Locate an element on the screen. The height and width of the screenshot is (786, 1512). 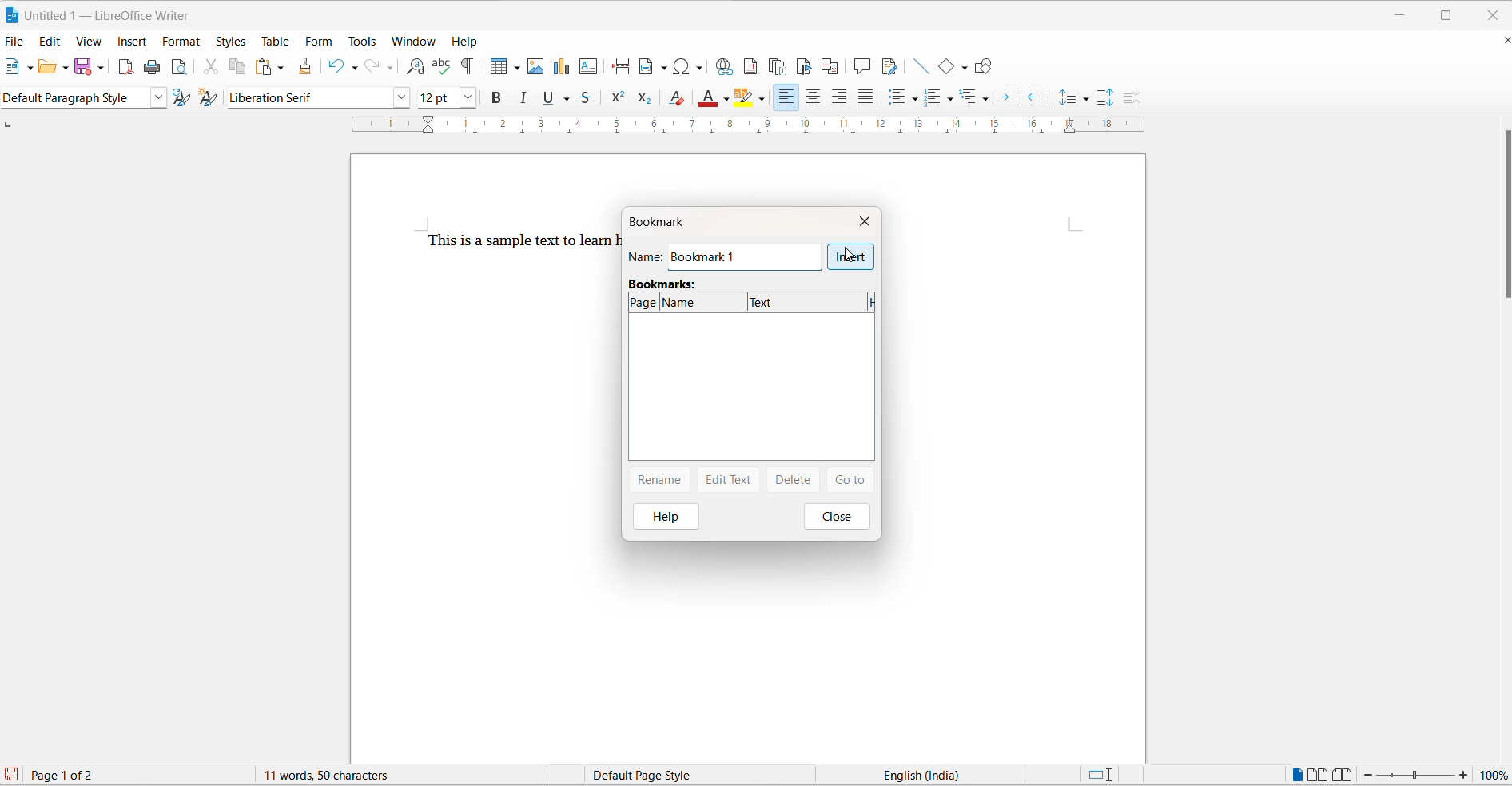
bold is located at coordinates (496, 98).